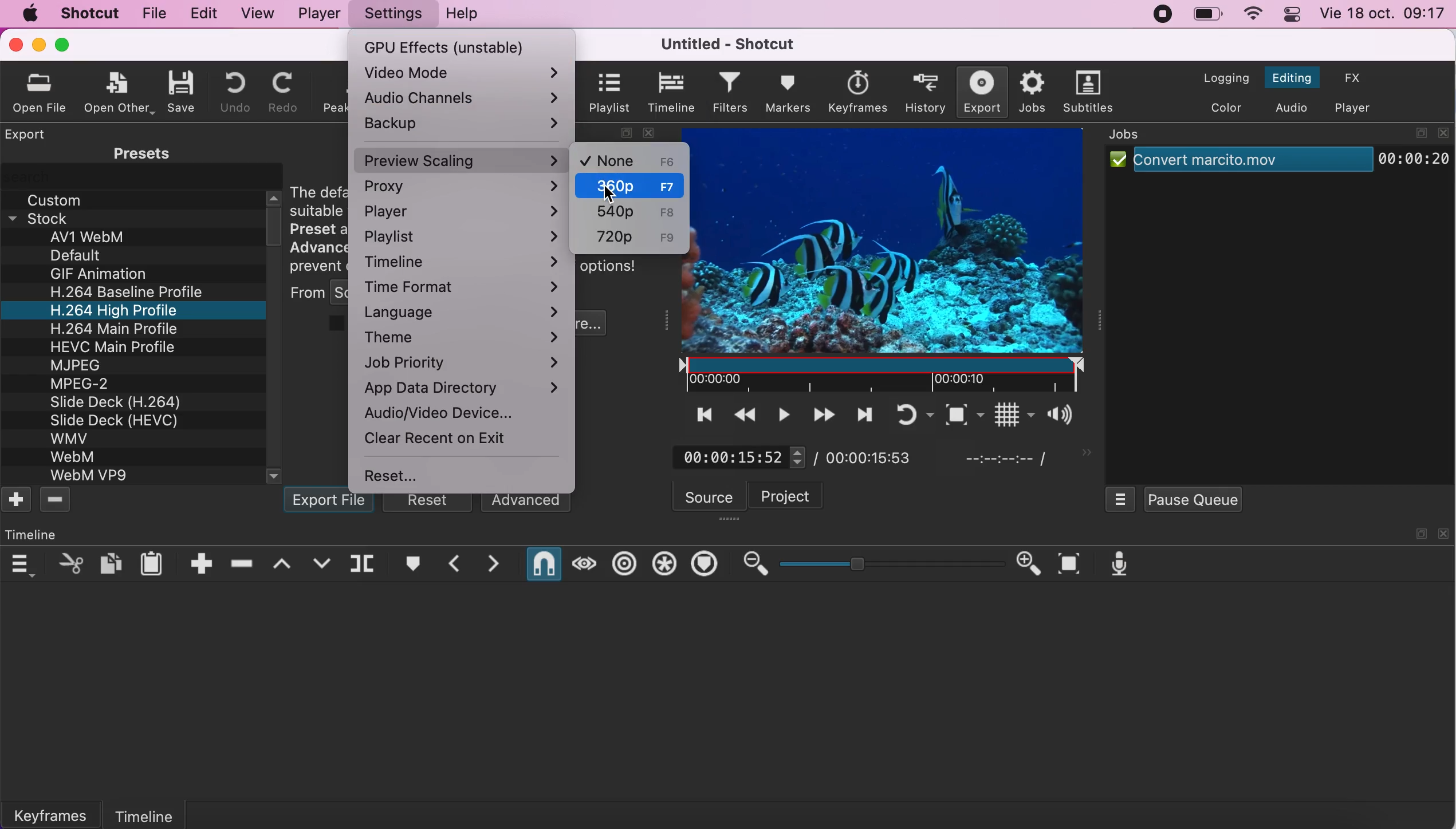  I want to click on save, so click(182, 89).